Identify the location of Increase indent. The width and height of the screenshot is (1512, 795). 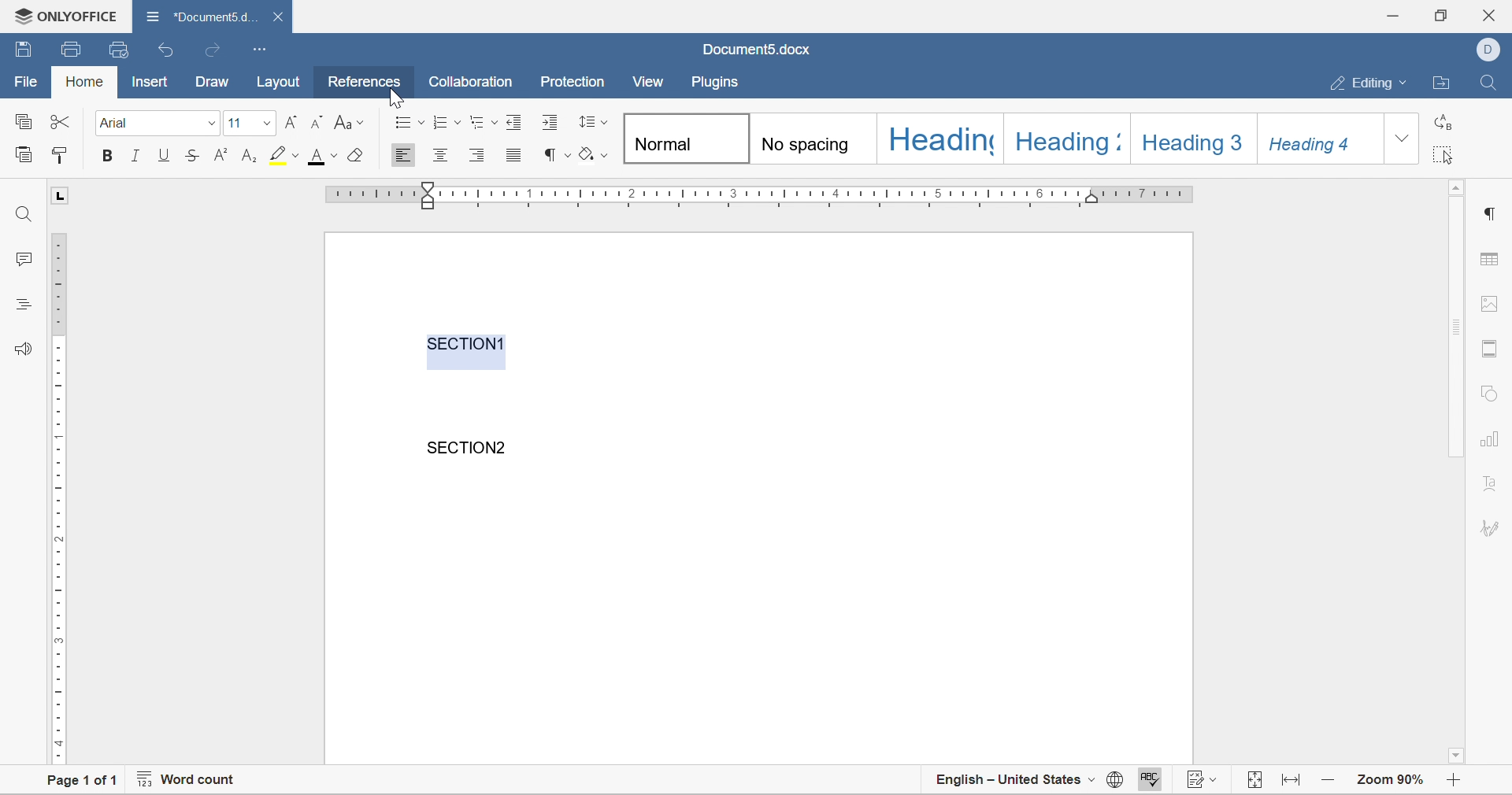
(551, 122).